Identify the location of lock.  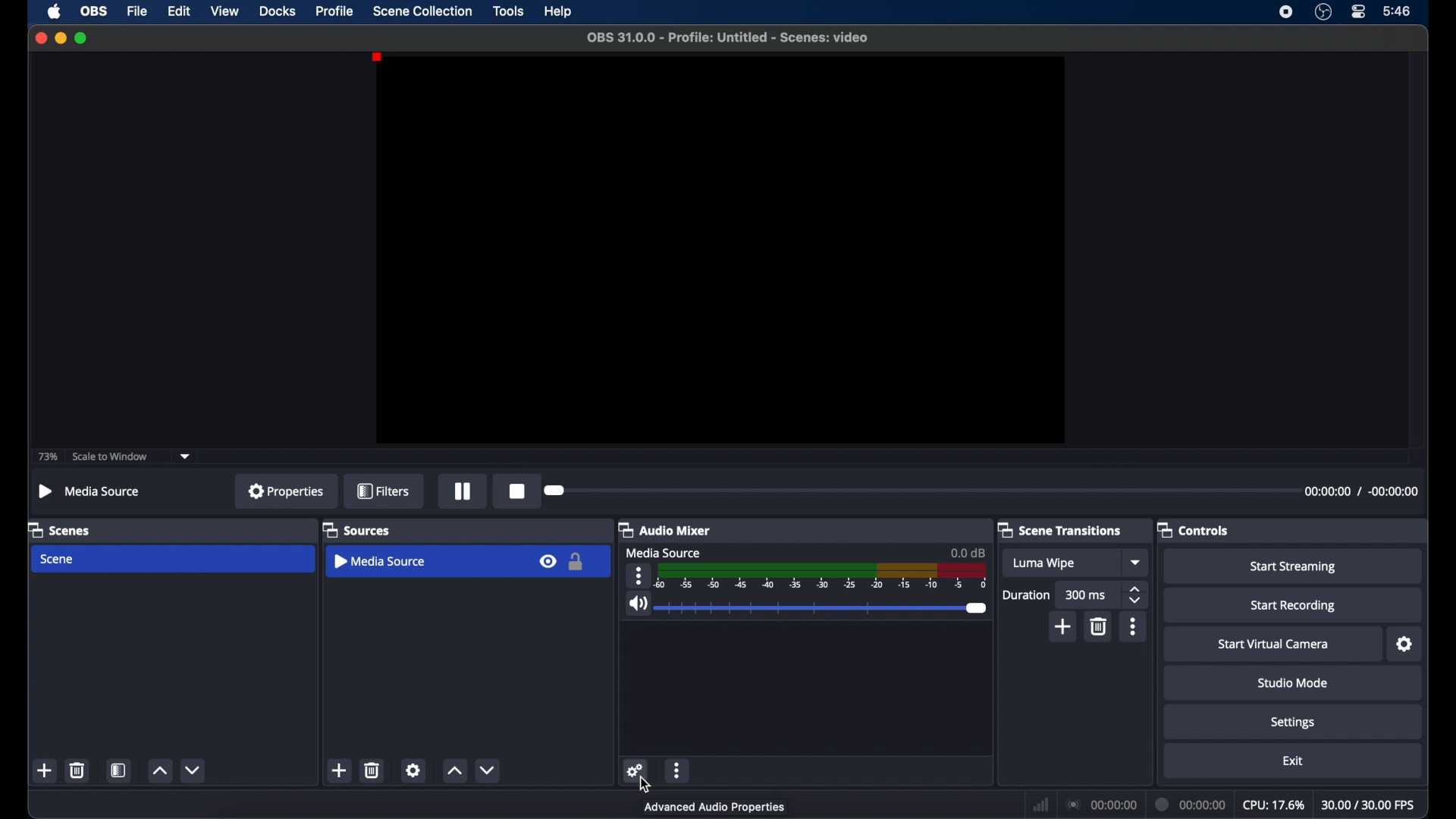
(574, 562).